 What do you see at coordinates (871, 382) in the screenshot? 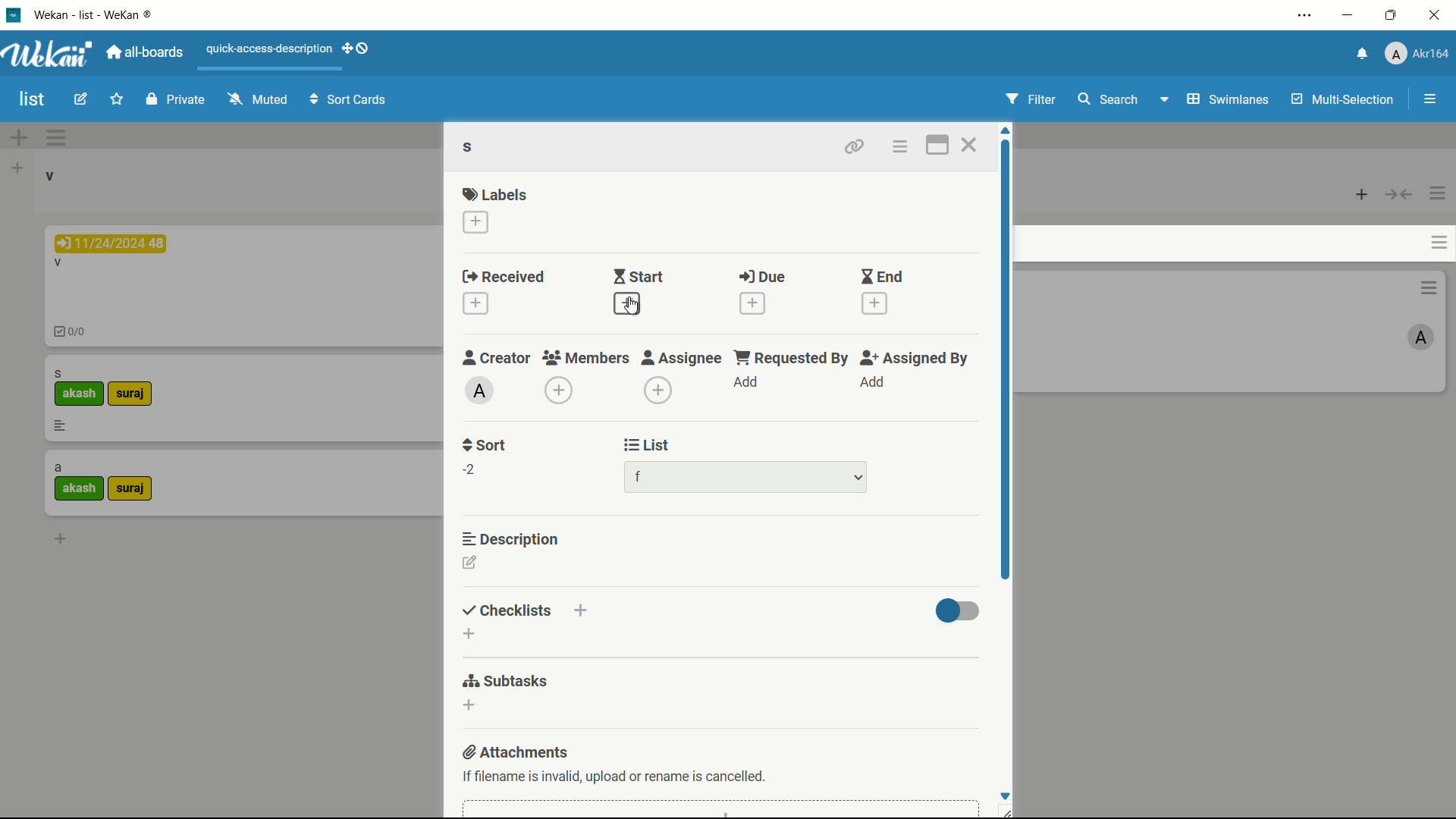
I see `add` at bounding box center [871, 382].